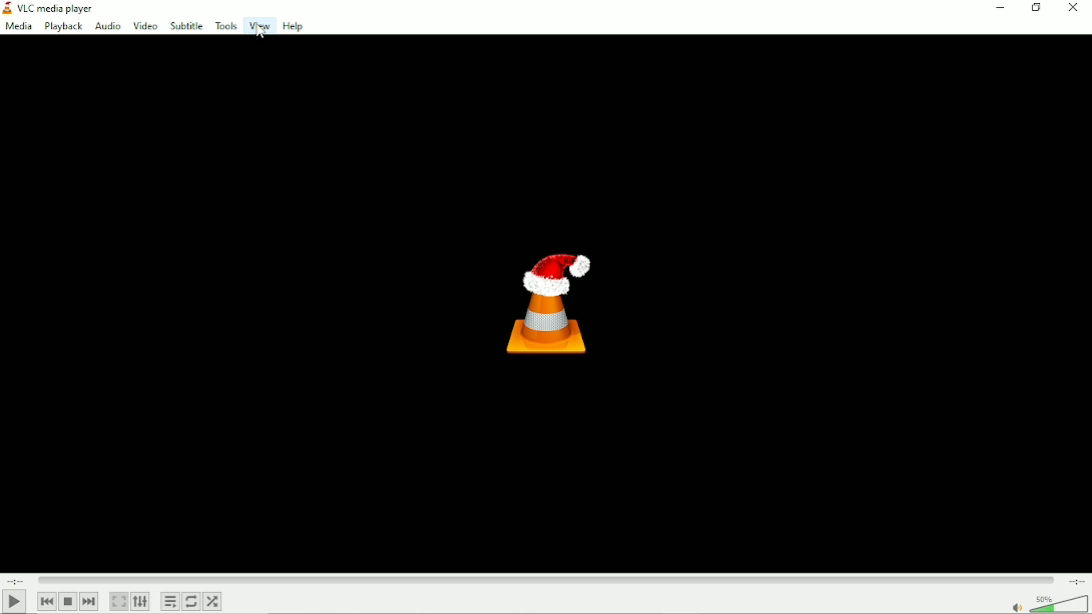  I want to click on Previous , so click(47, 602).